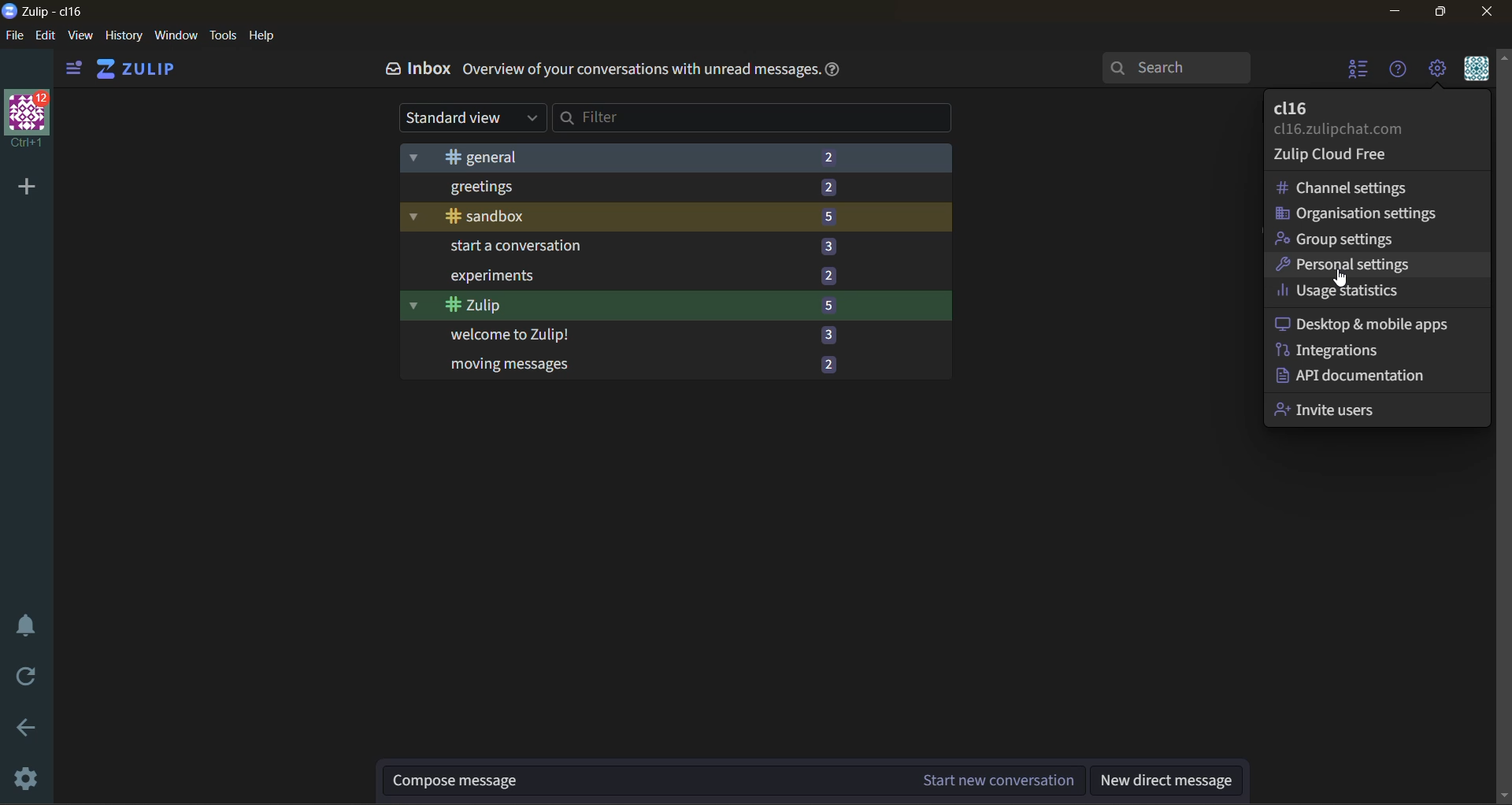 This screenshot has height=805, width=1512. I want to click on app name and organisation name, so click(46, 13).